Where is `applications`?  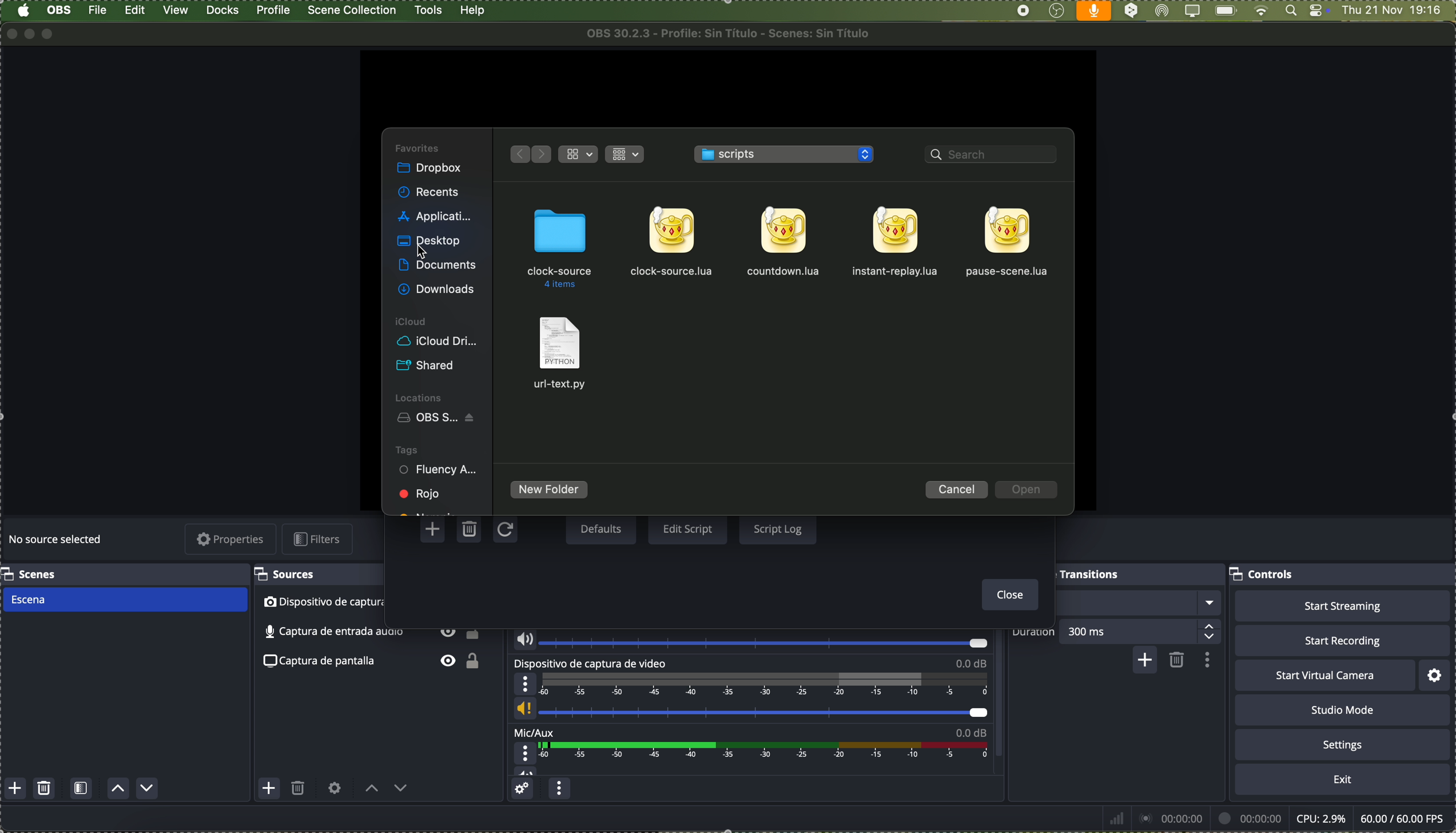 applications is located at coordinates (435, 215).